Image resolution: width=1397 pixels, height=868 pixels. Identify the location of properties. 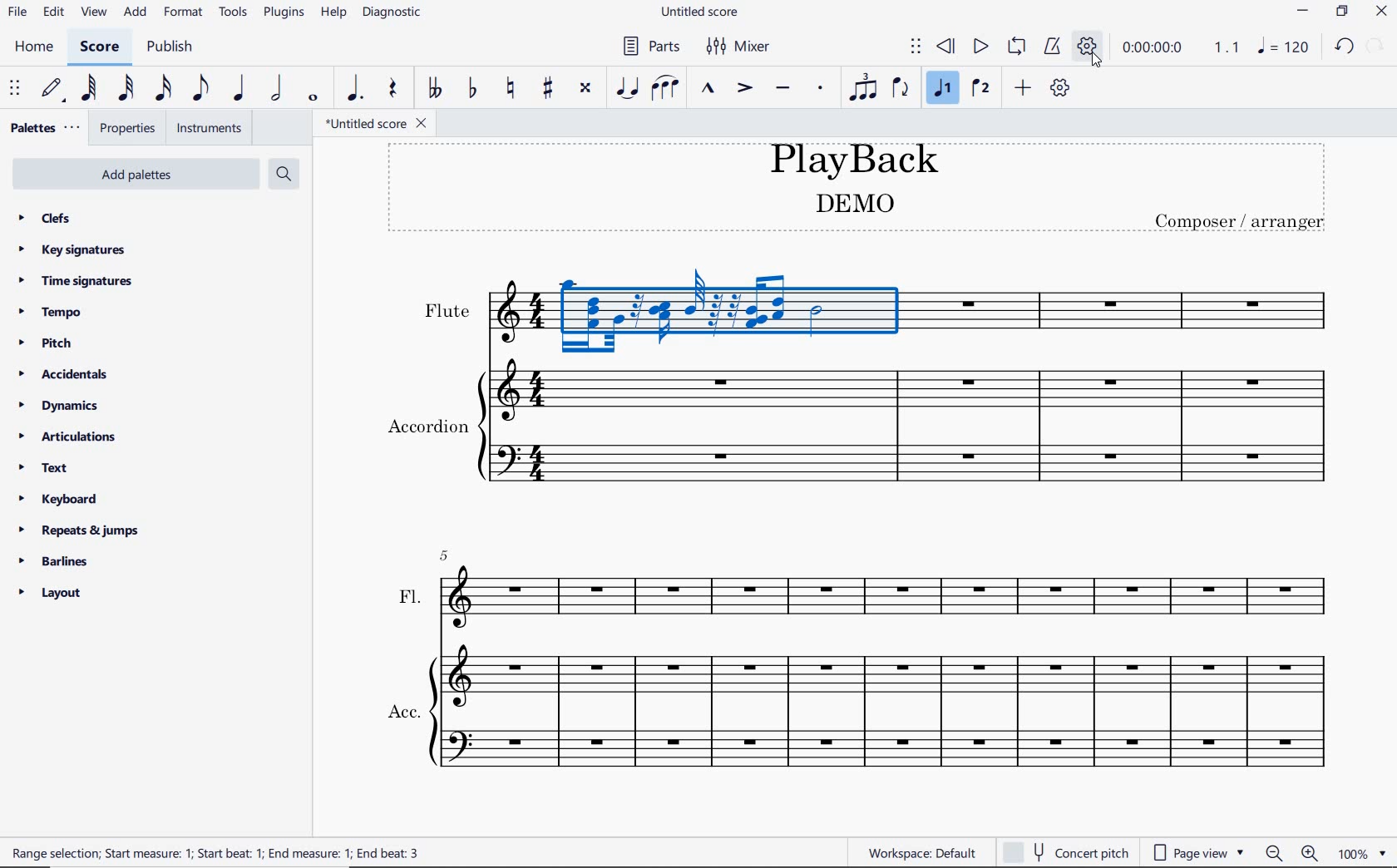
(131, 129).